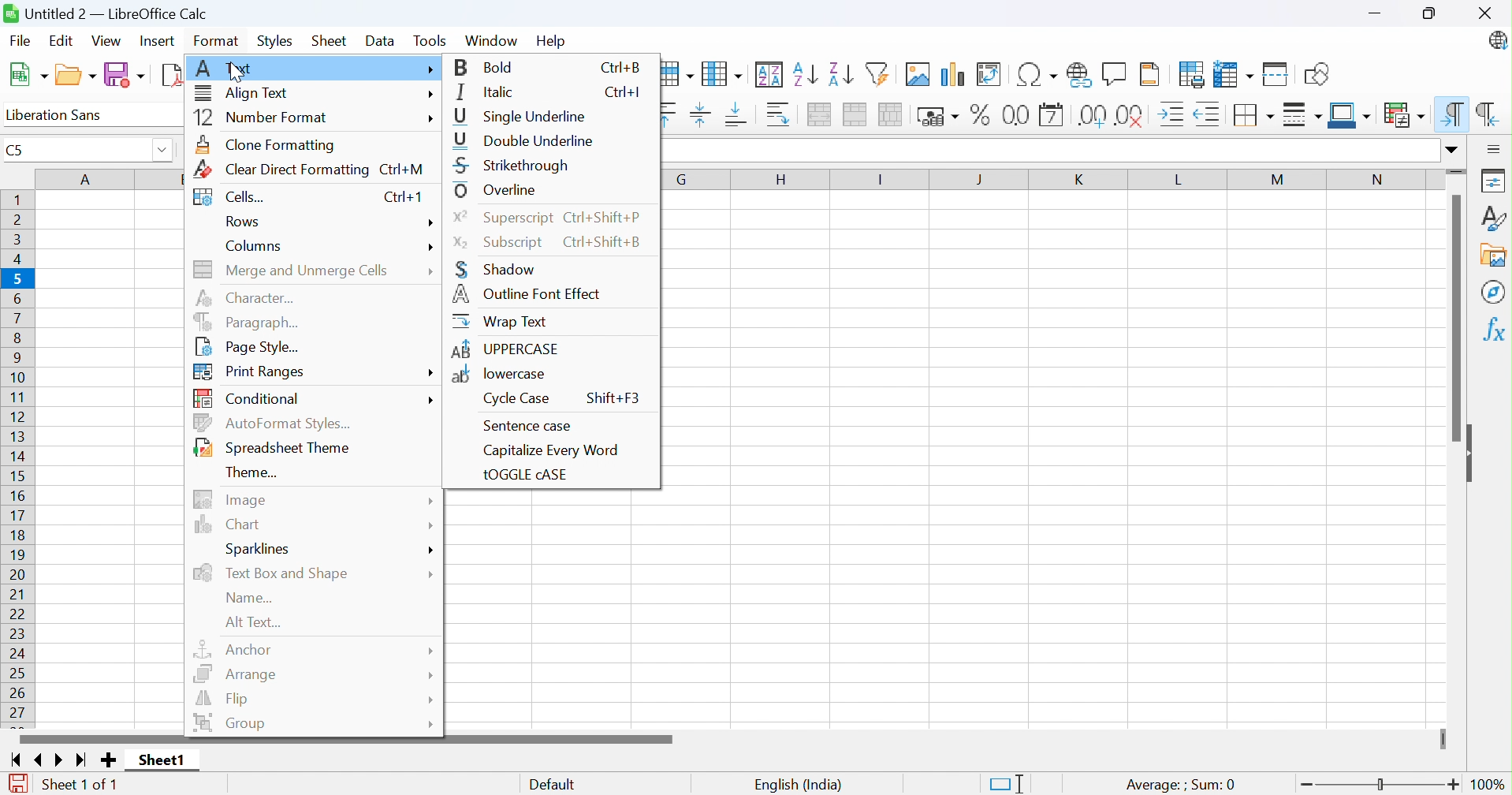  I want to click on Format as date, so click(1053, 114).